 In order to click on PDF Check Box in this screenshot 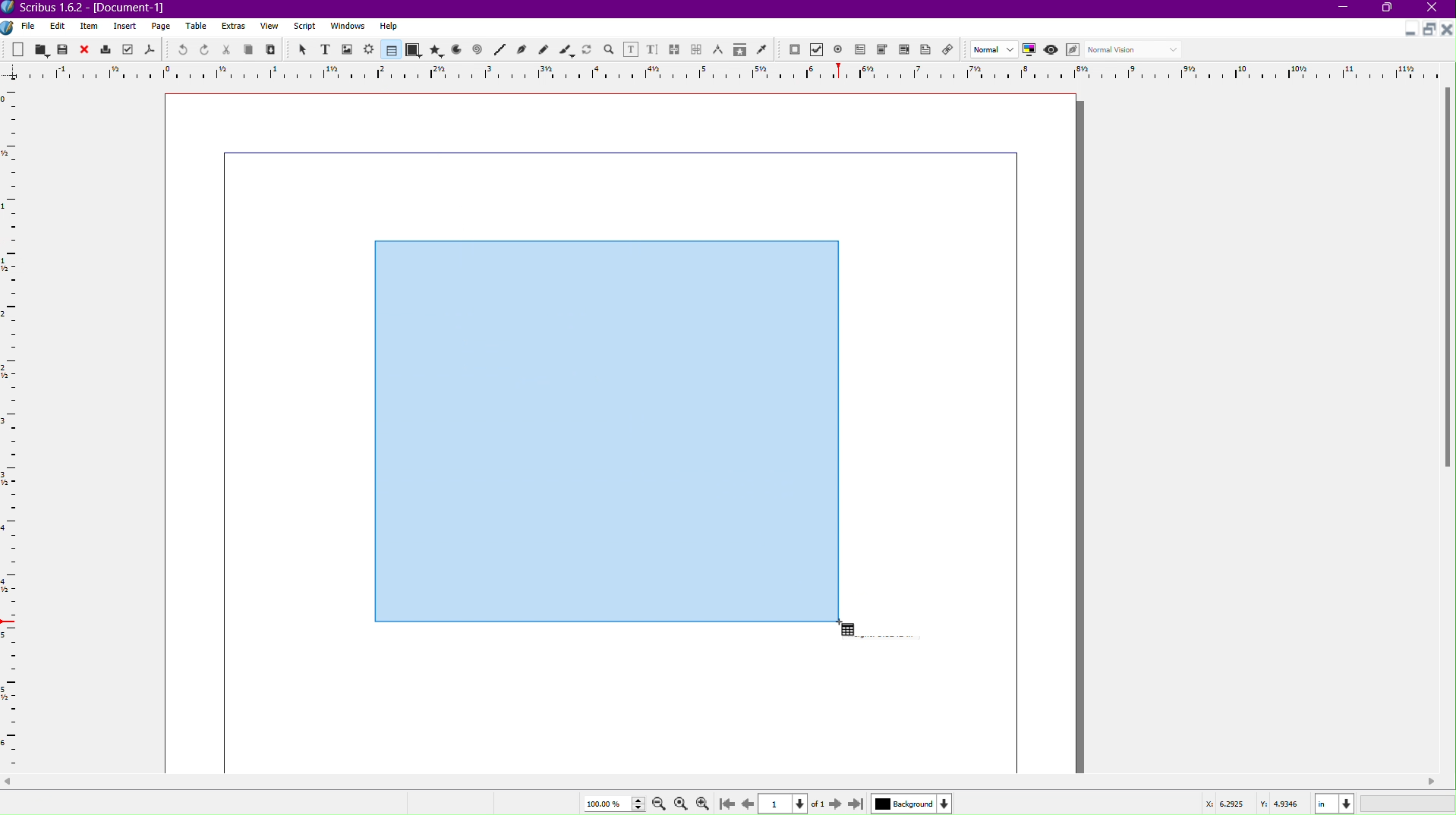, I will do `click(819, 51)`.